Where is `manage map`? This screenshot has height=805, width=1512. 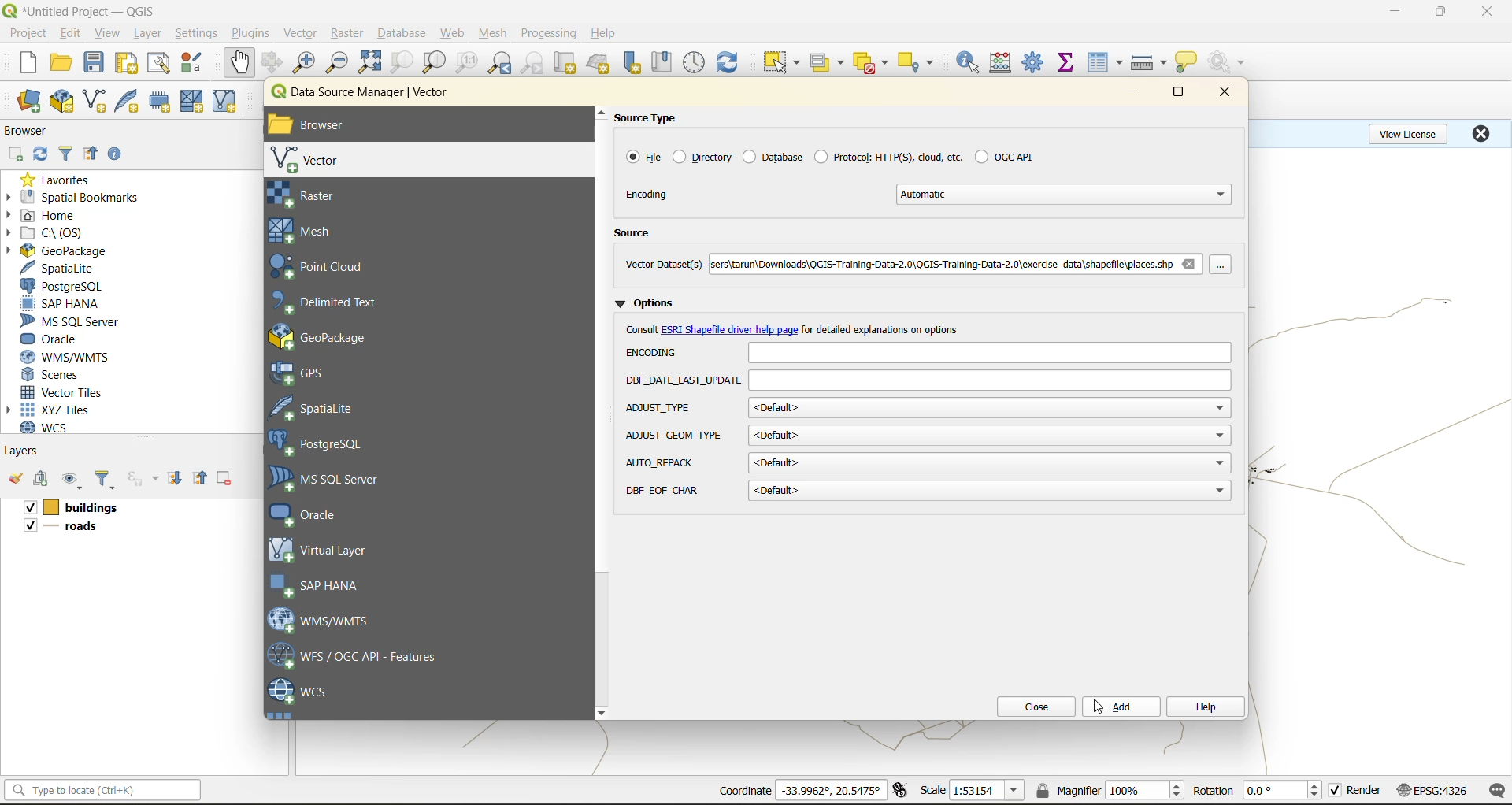 manage map is located at coordinates (74, 480).